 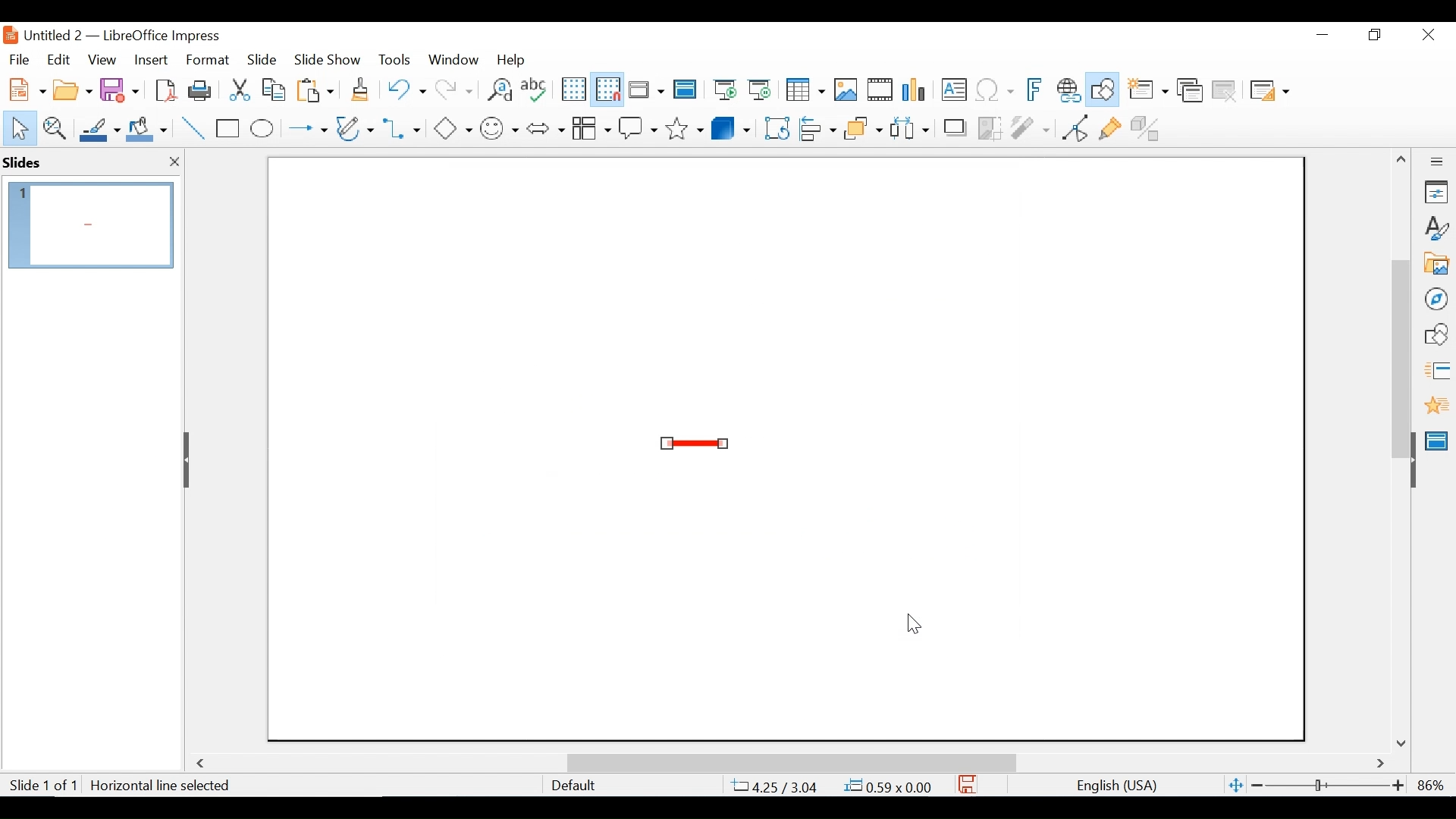 I want to click on Start from First Slide, so click(x=723, y=91).